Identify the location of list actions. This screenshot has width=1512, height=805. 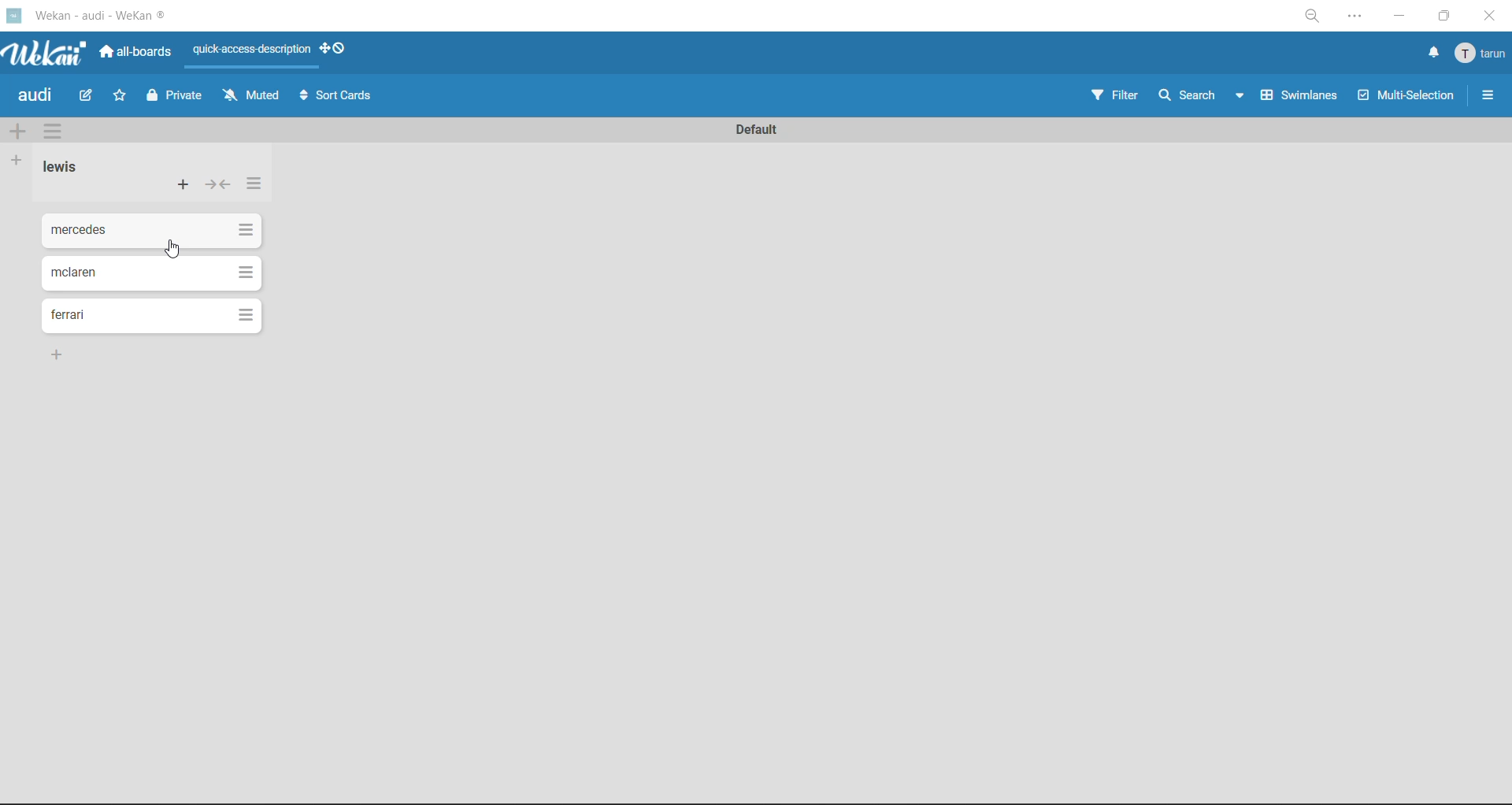
(254, 184).